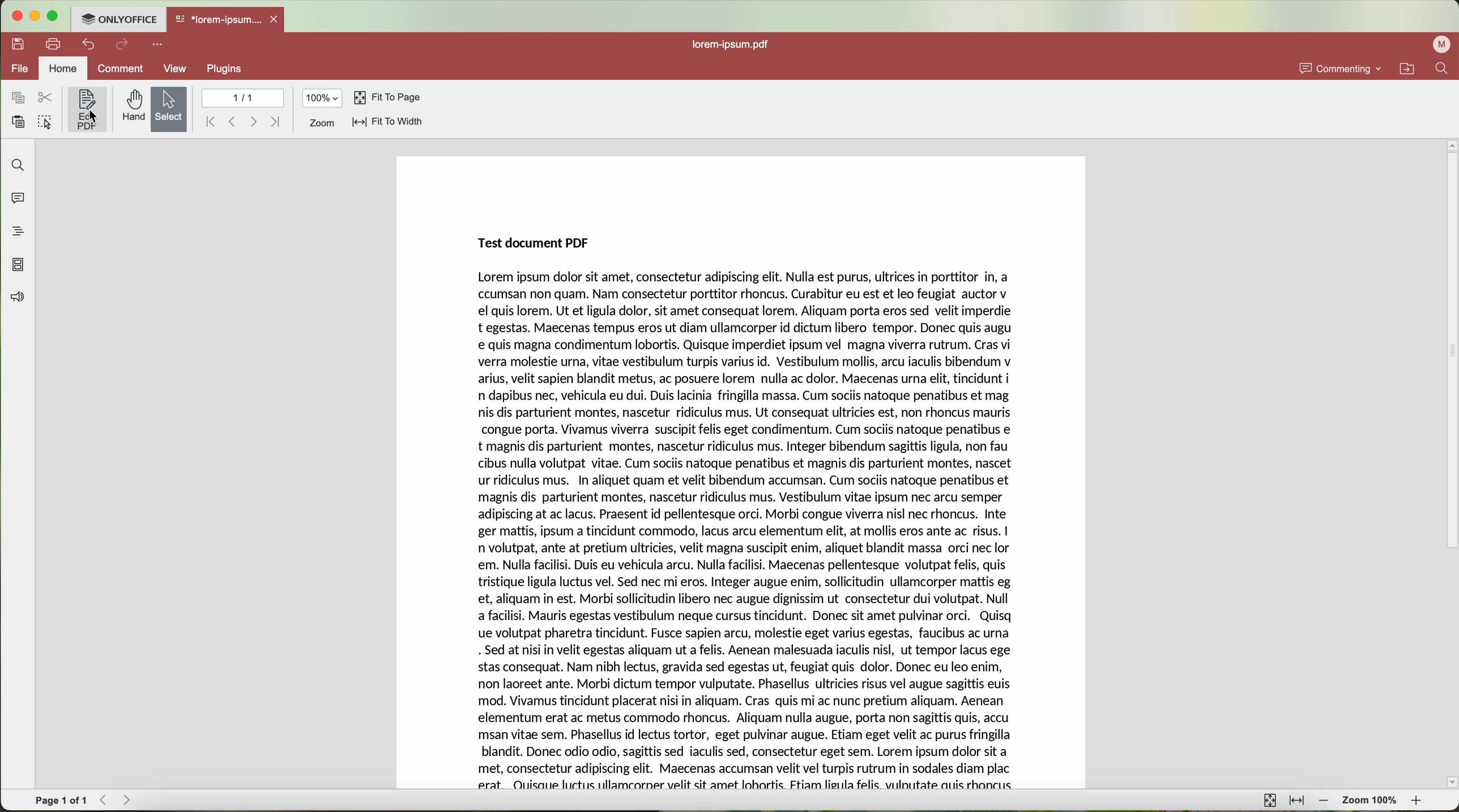 This screenshot has width=1459, height=812. What do you see at coordinates (1441, 68) in the screenshot?
I see `find` at bounding box center [1441, 68].